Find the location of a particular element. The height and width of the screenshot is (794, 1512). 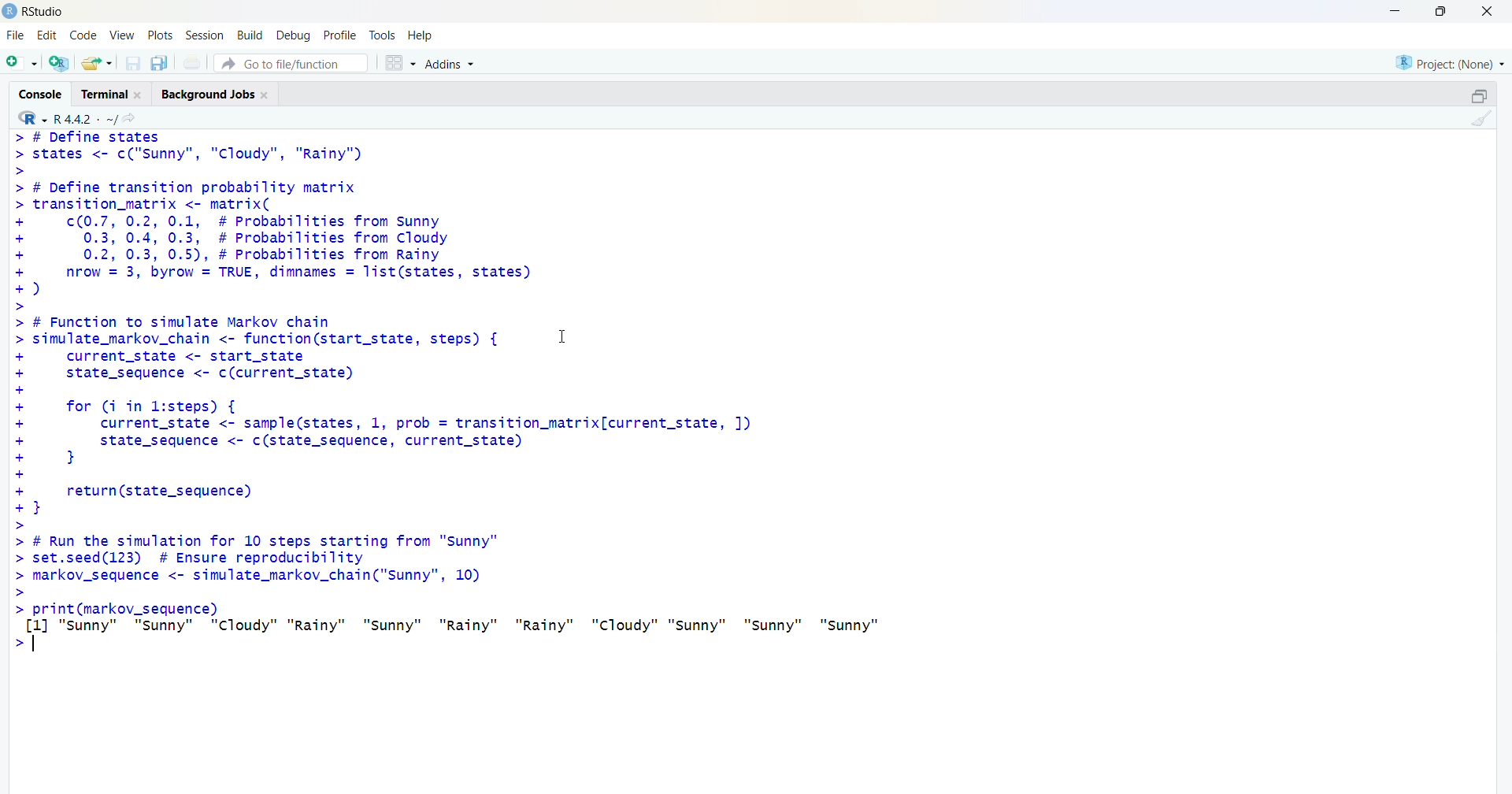

background jobs is located at coordinates (220, 95).